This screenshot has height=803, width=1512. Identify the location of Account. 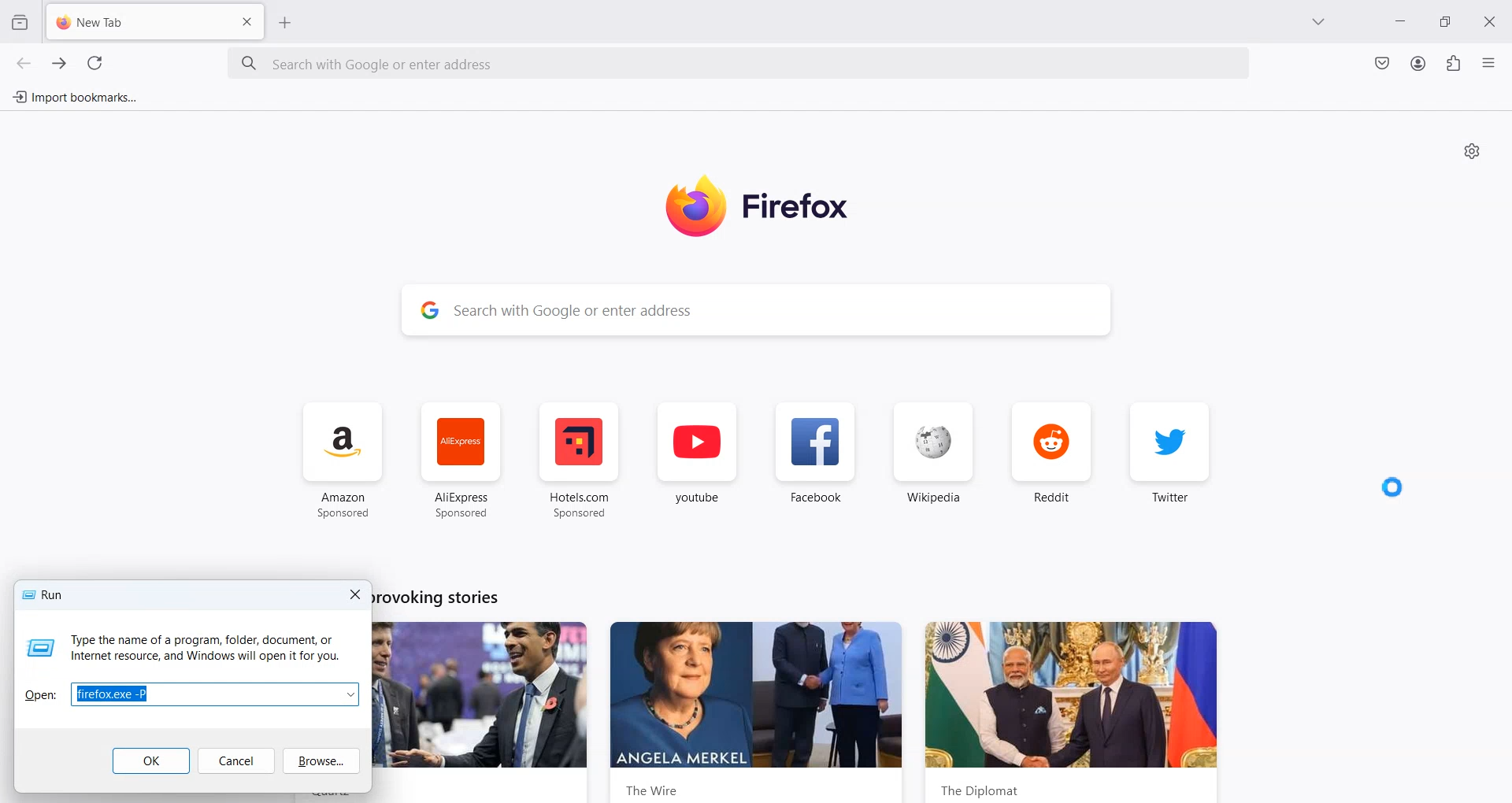
(1418, 63).